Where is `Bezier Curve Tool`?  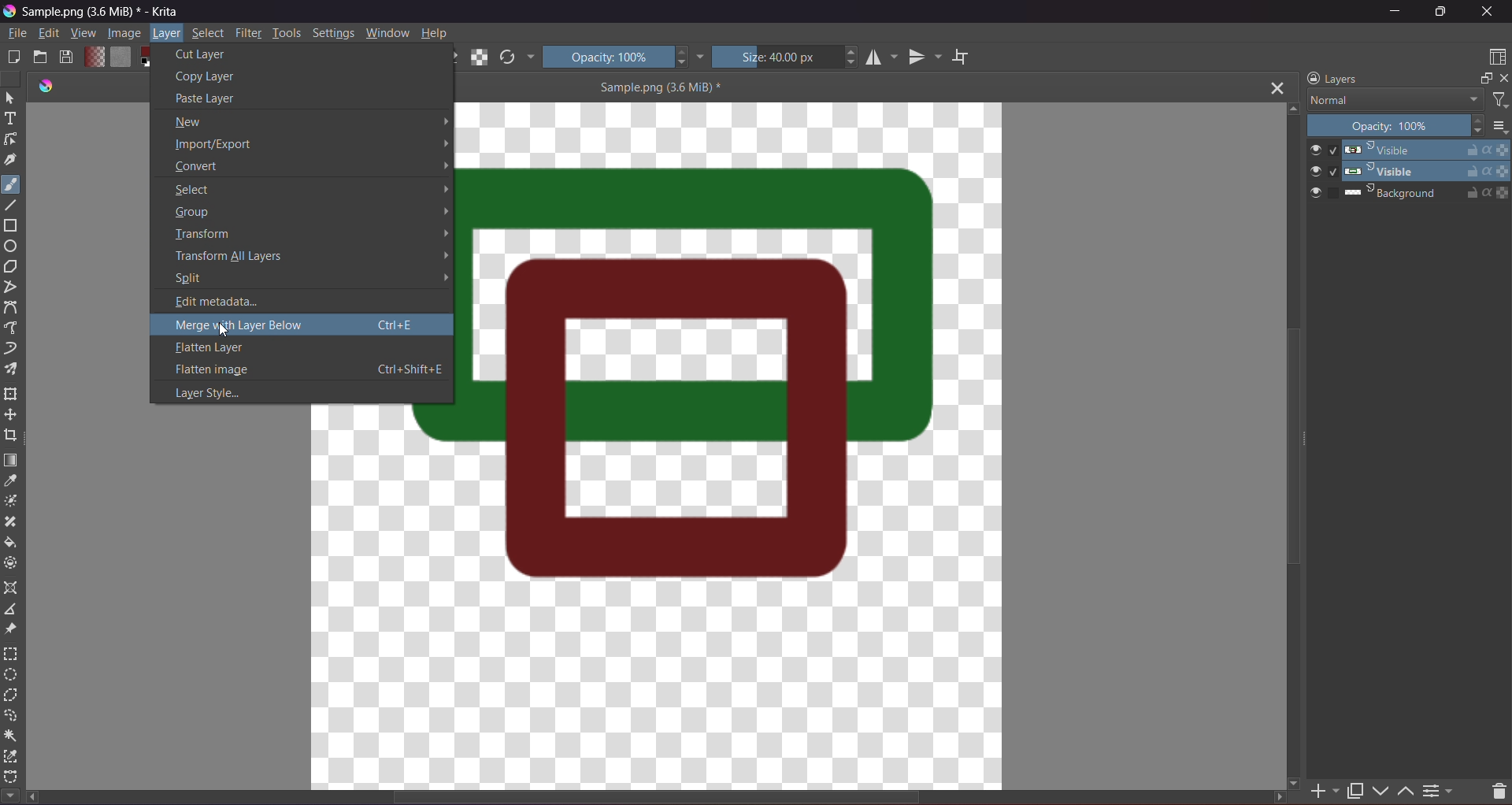 Bezier Curve Tool is located at coordinates (14, 309).